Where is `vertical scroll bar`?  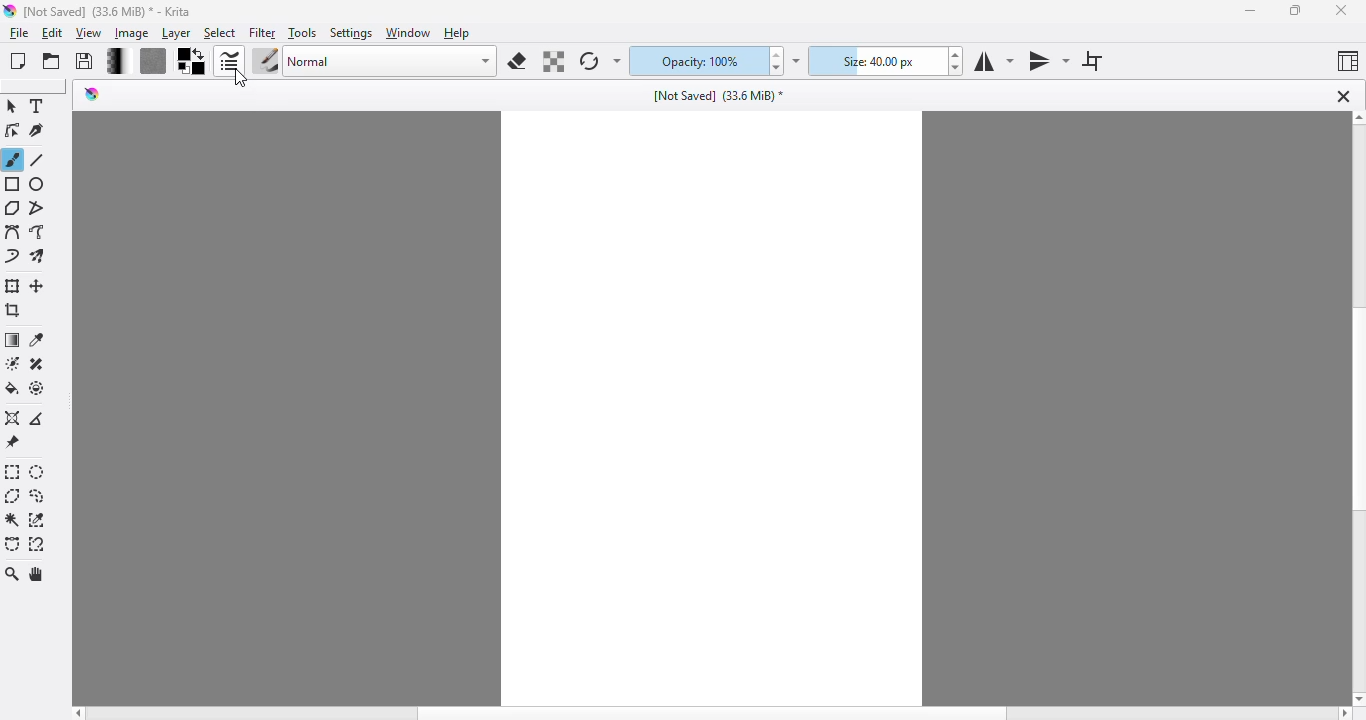
vertical scroll bar is located at coordinates (1355, 408).